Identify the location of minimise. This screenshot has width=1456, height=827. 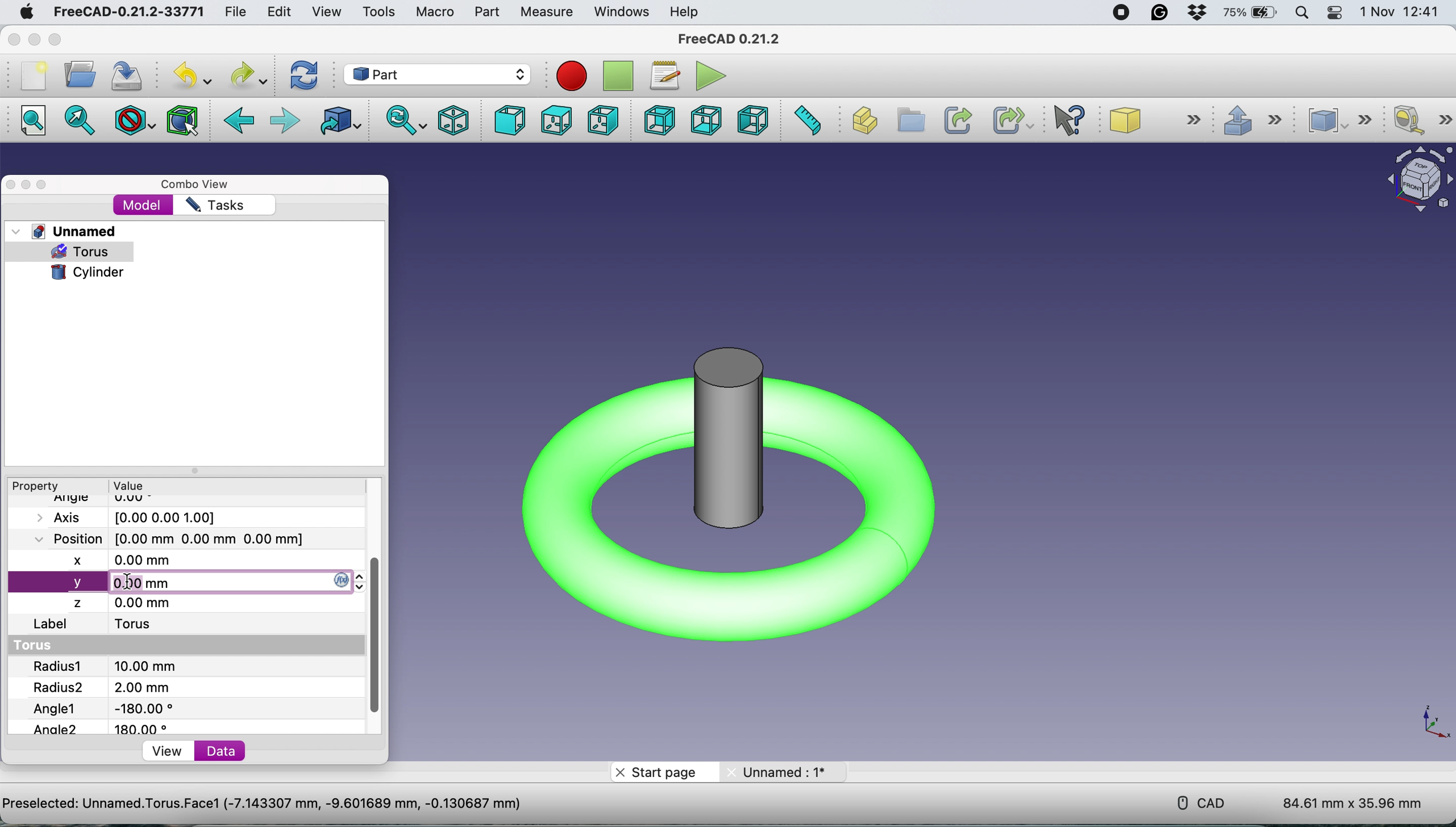
(27, 186).